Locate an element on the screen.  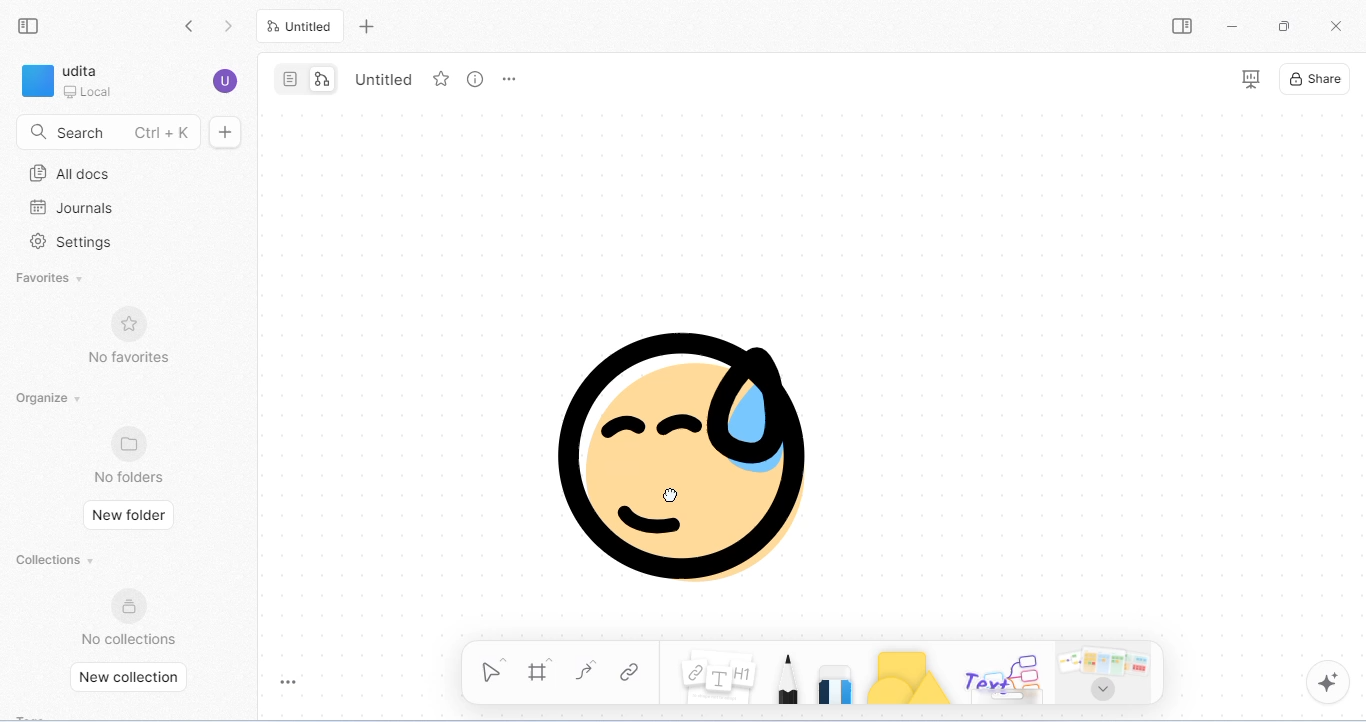
notes is located at coordinates (719, 674).